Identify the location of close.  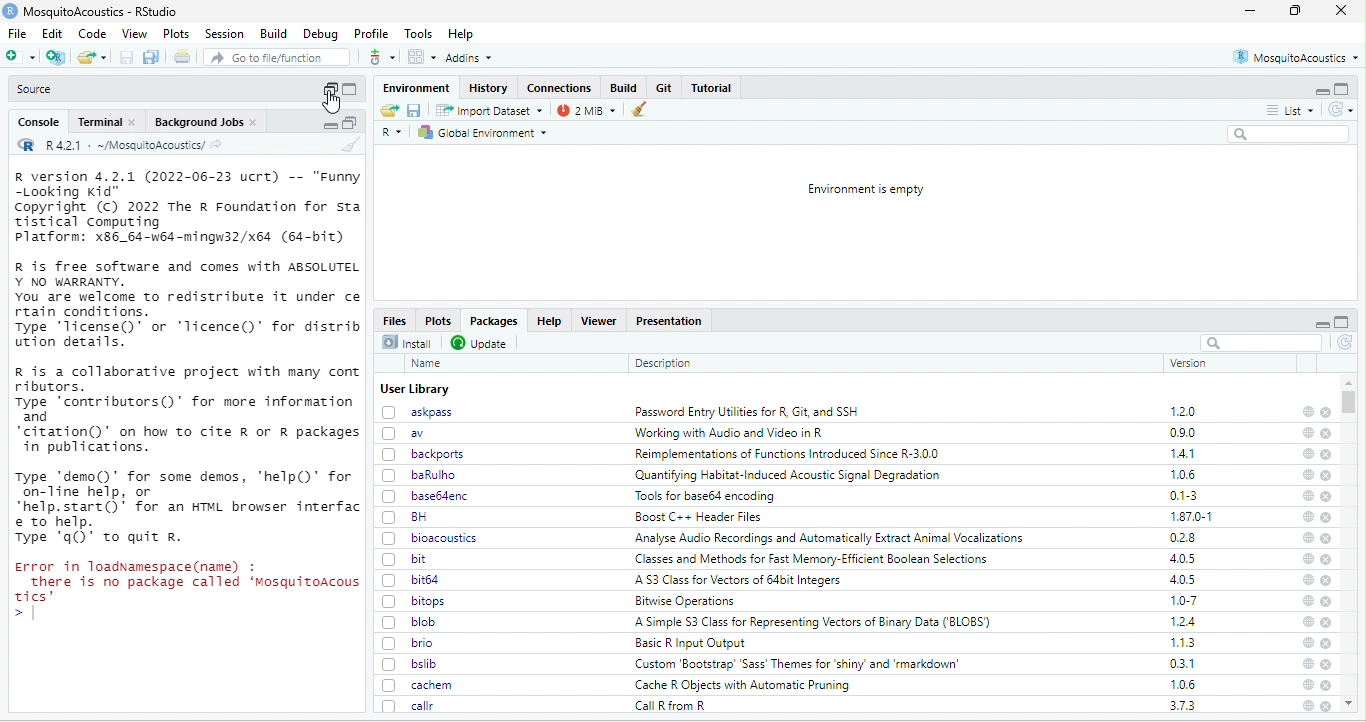
(1327, 455).